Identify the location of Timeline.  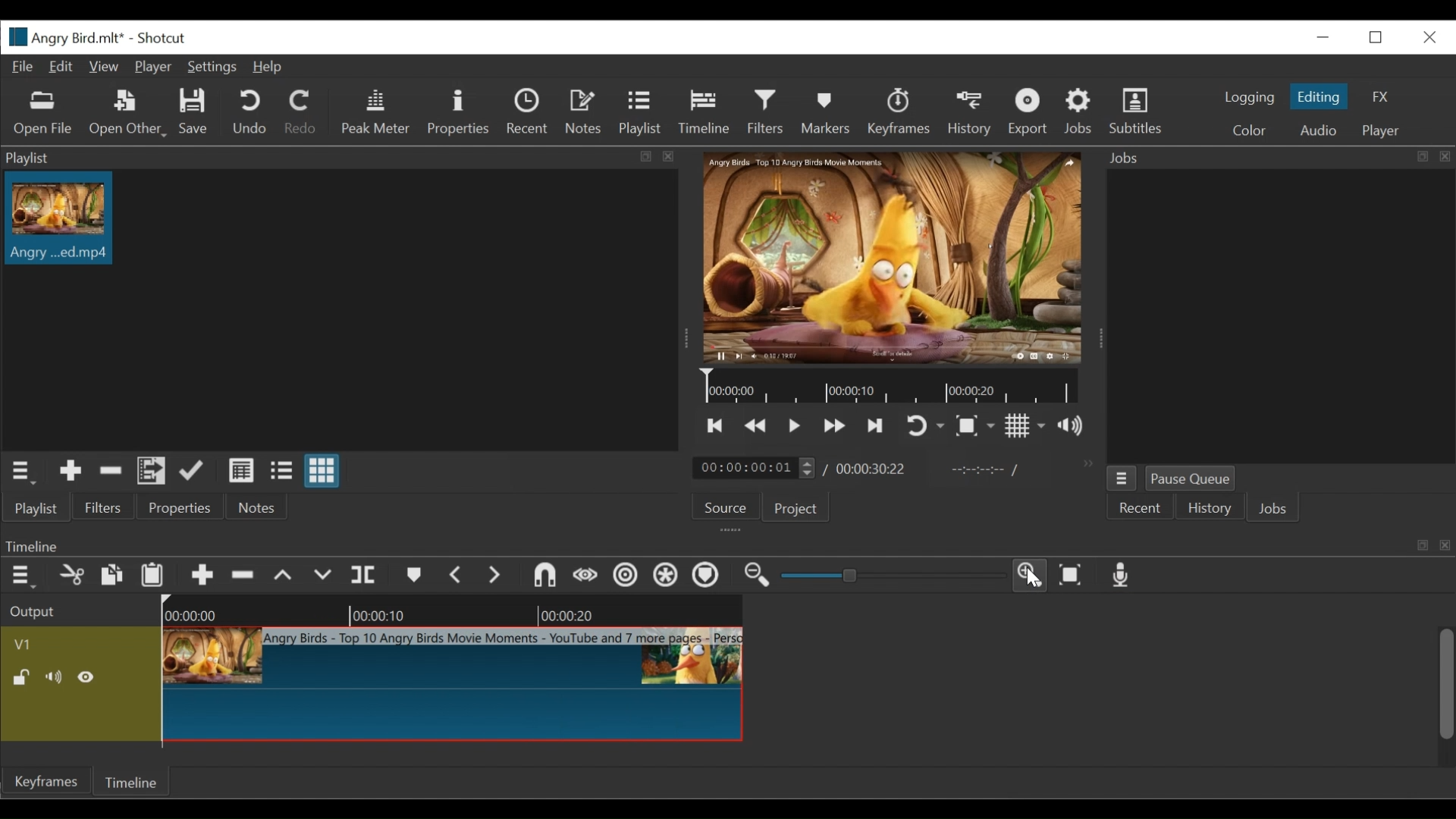
(897, 388).